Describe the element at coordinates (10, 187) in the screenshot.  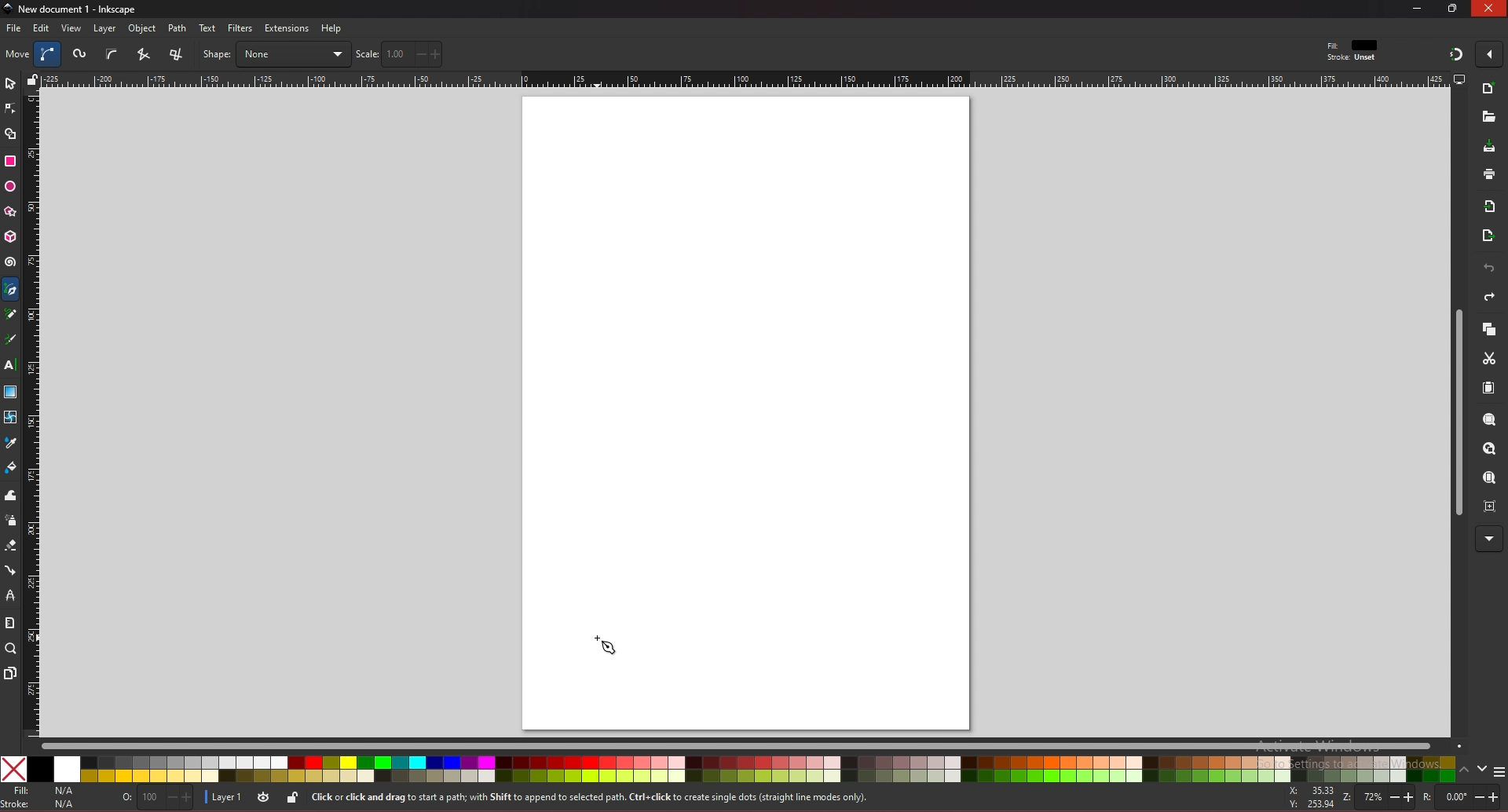
I see `ellipse` at that location.